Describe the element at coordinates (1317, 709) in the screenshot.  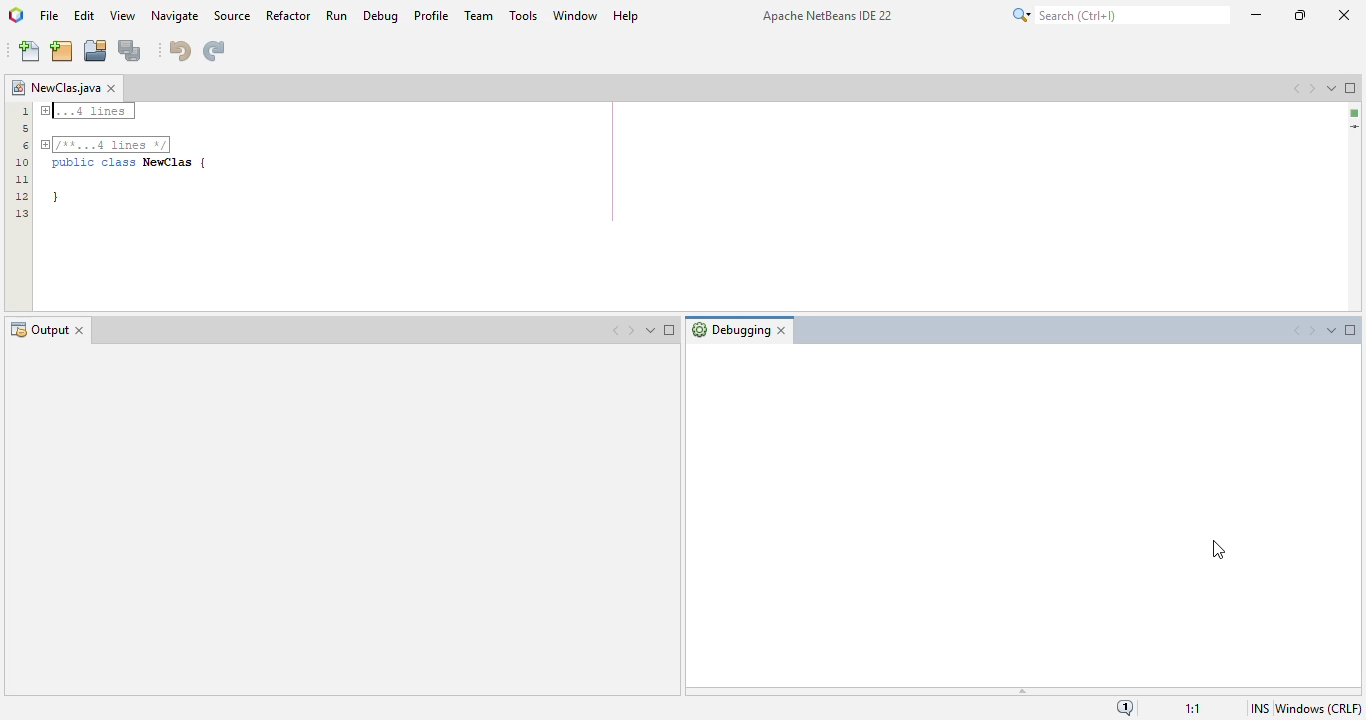
I see `windows (CRLF)` at that location.